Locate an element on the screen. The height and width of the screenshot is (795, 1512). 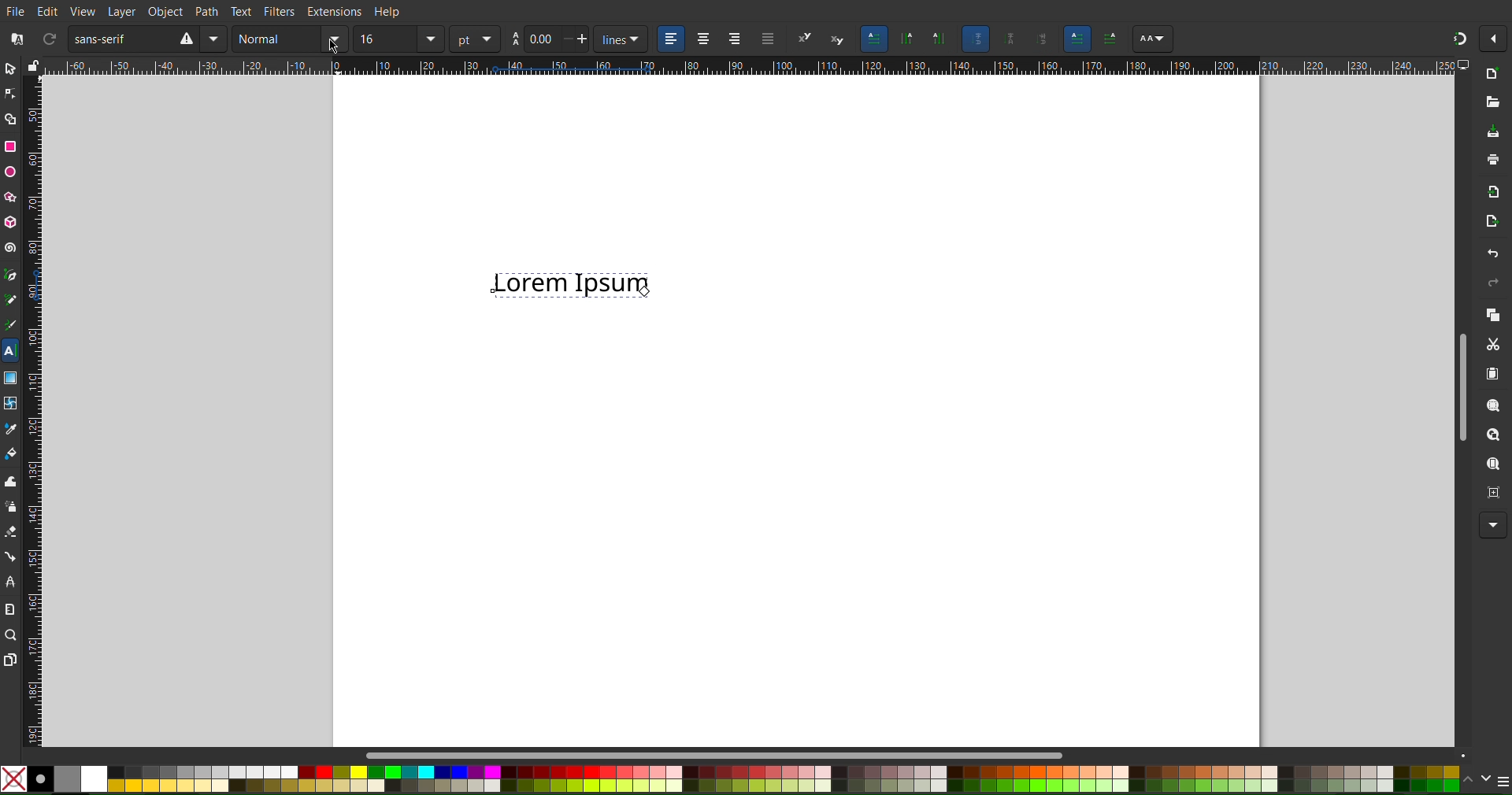
Eraser Tool is located at coordinates (11, 531).